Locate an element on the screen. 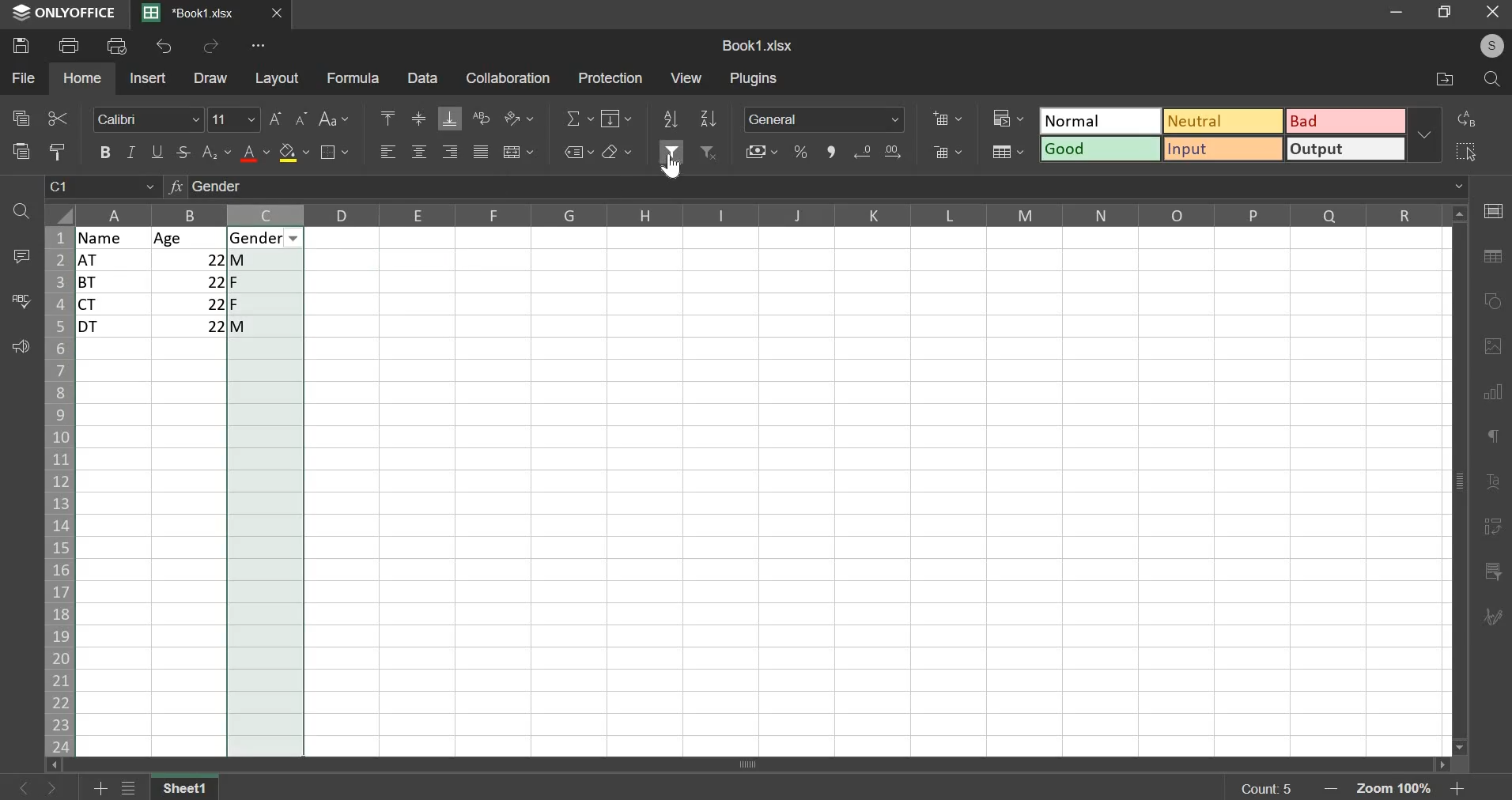 The image size is (1512, 800). remove filter is located at coordinates (710, 152).